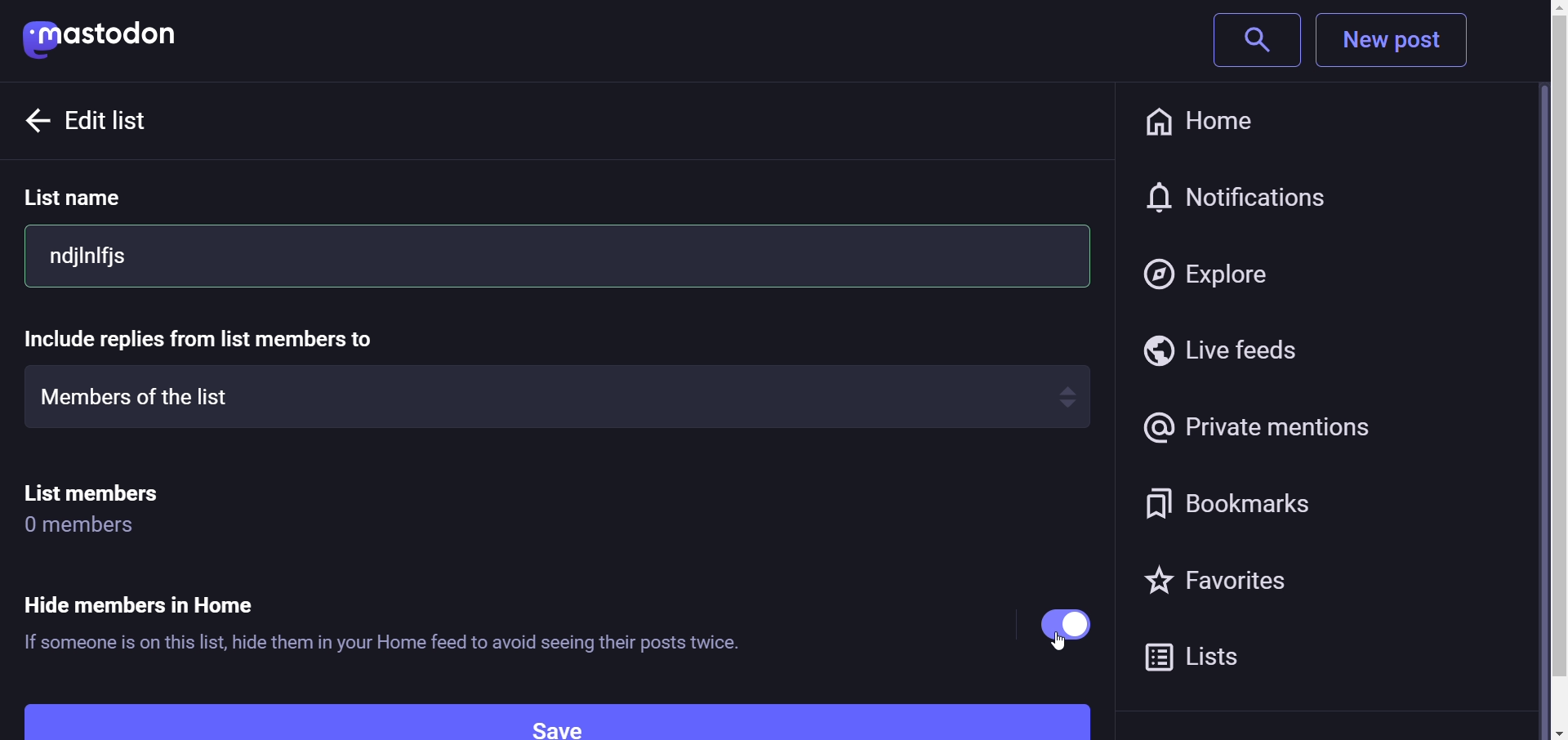 The height and width of the screenshot is (740, 1568). What do you see at coordinates (557, 719) in the screenshot?
I see `Save` at bounding box center [557, 719].